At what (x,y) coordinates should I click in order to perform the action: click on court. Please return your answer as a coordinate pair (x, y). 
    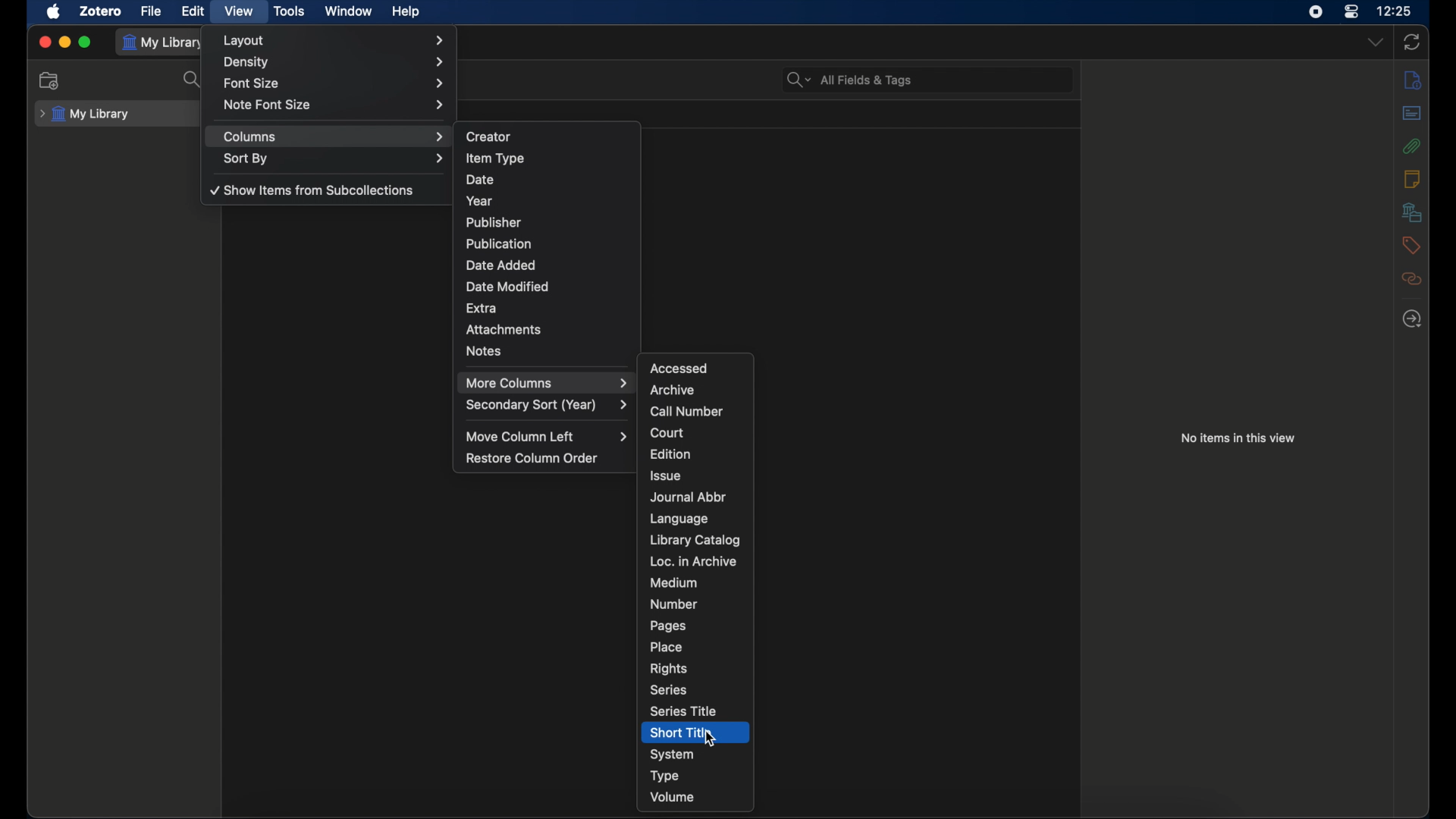
    Looking at the image, I should click on (667, 432).